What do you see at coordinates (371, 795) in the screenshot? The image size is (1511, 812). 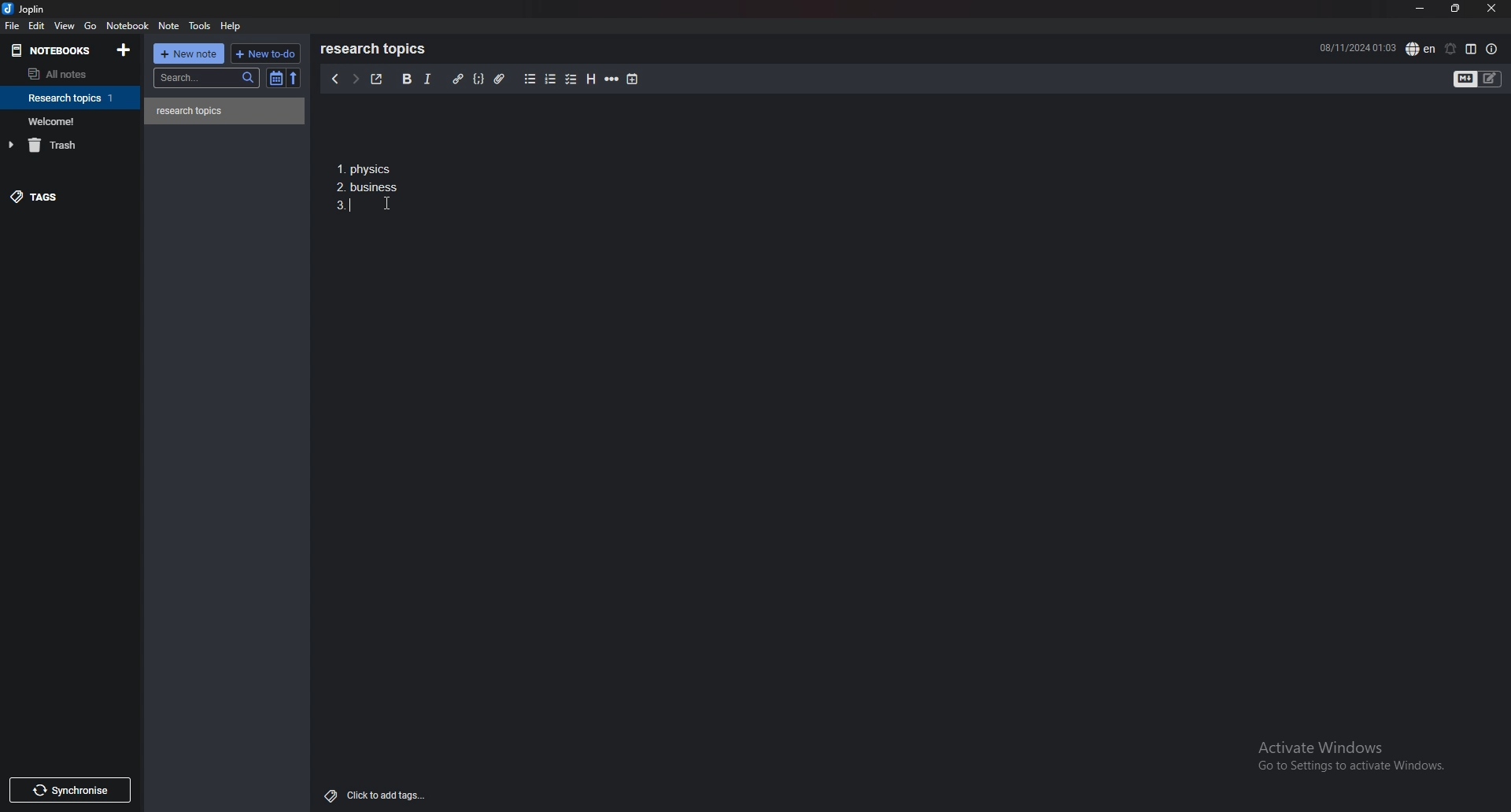 I see `Click to add tags` at bounding box center [371, 795].